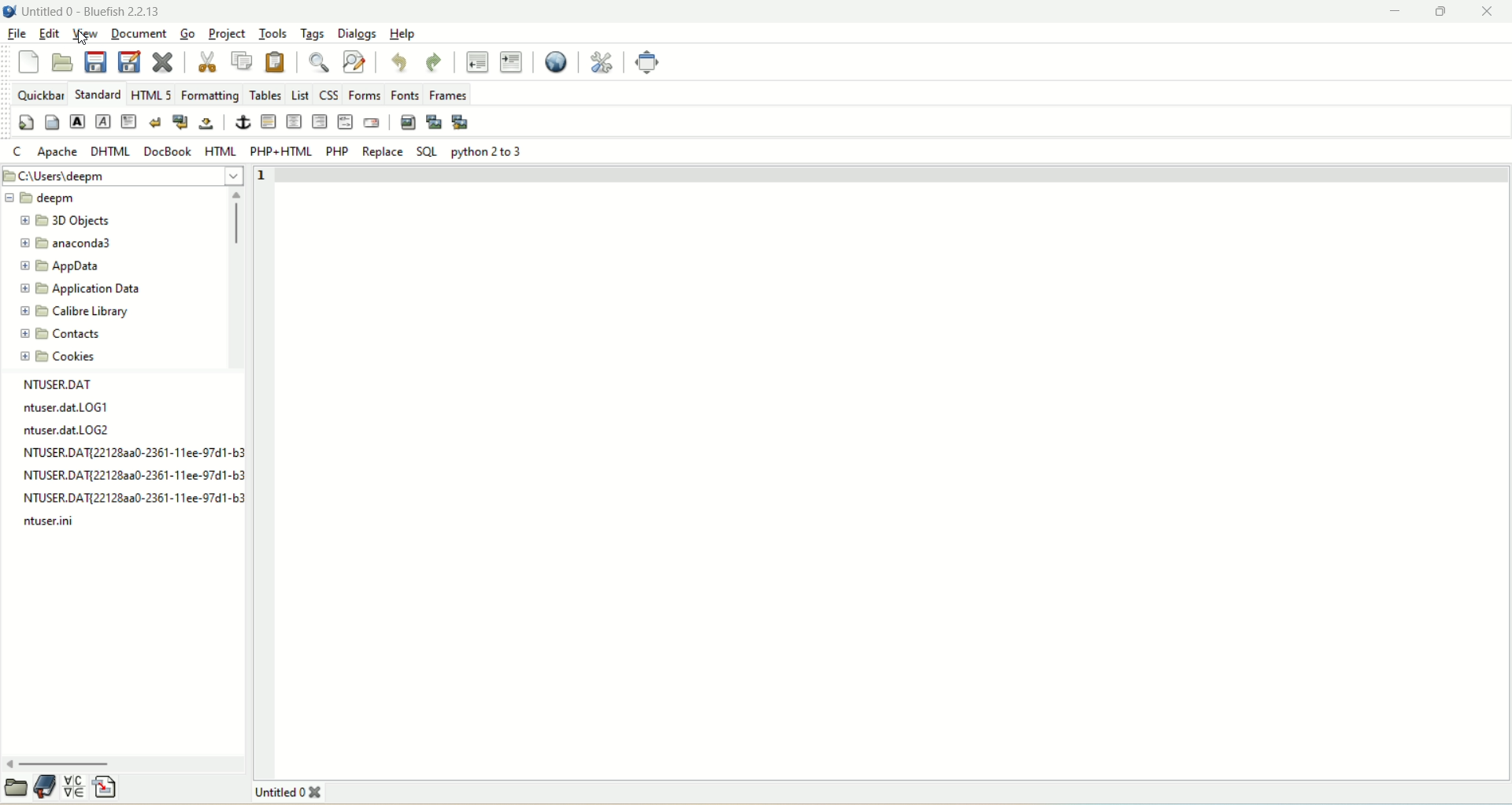 This screenshot has height=805, width=1512. What do you see at coordinates (435, 121) in the screenshot?
I see `insert thumbnail` at bounding box center [435, 121].